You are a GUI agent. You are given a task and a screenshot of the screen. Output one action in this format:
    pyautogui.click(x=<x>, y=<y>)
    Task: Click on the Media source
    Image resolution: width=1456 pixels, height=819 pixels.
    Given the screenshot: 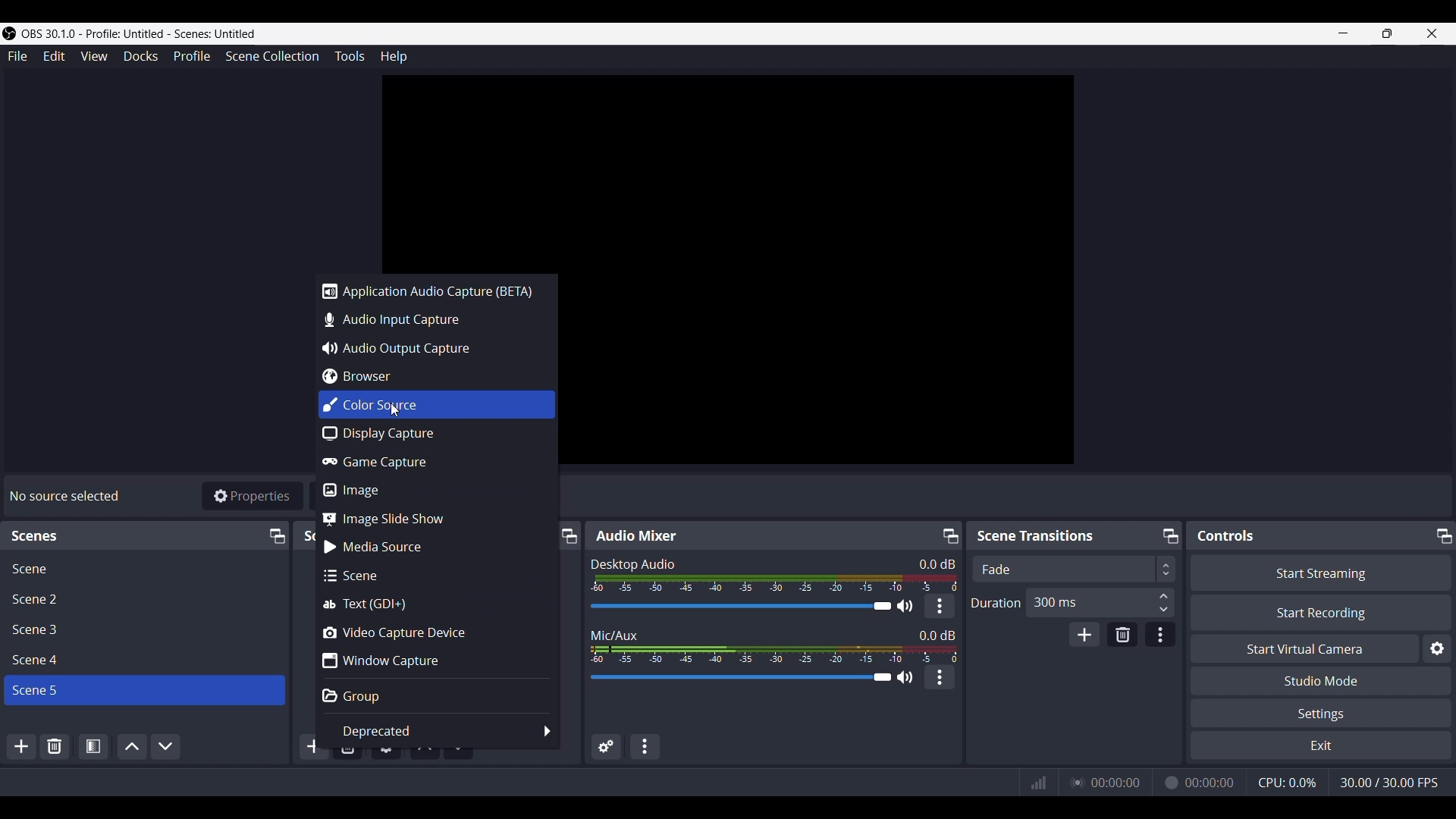 What is the action you would take?
    pyautogui.click(x=435, y=546)
    